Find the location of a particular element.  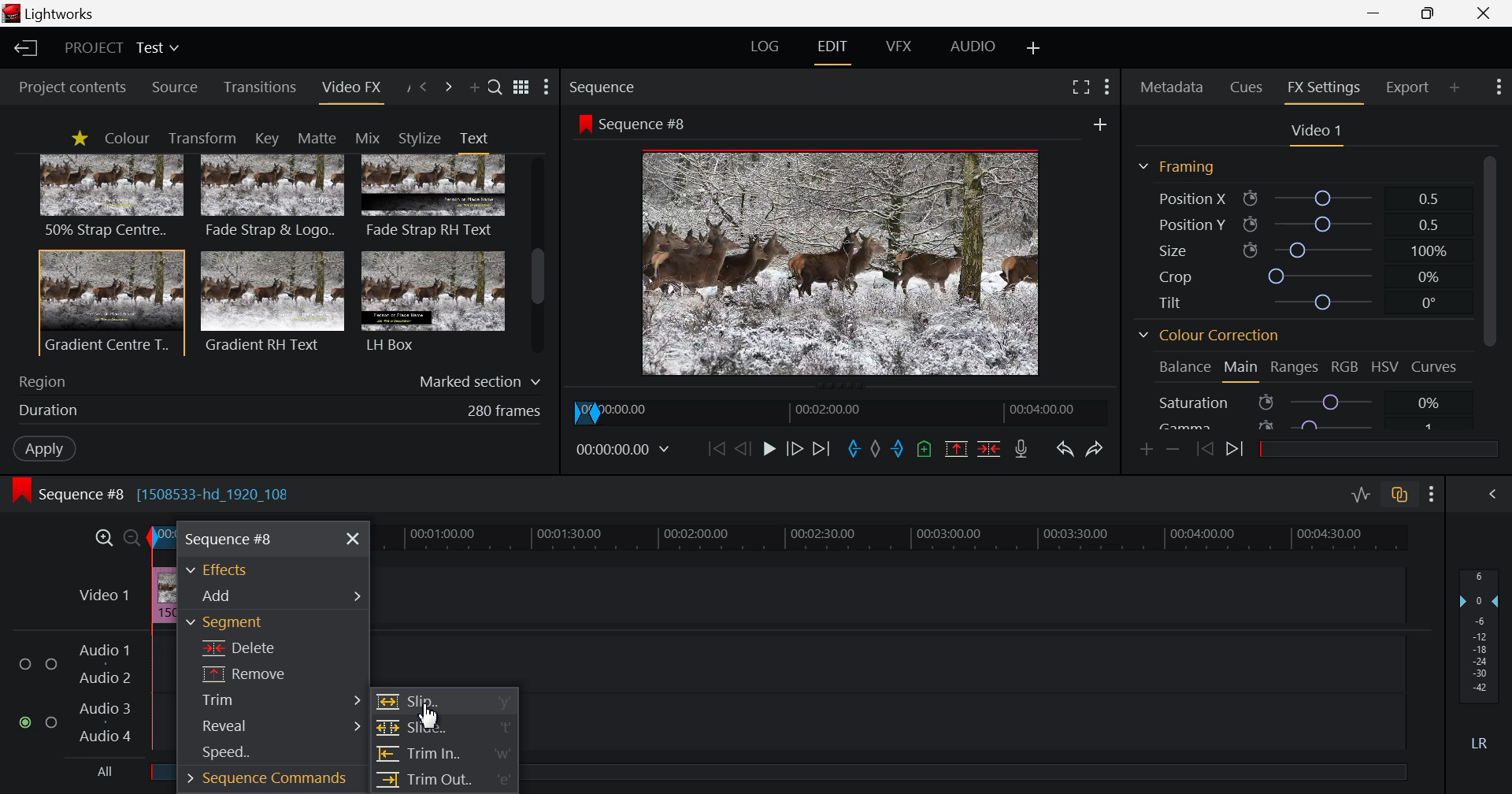

audio 3 is located at coordinates (100, 707).